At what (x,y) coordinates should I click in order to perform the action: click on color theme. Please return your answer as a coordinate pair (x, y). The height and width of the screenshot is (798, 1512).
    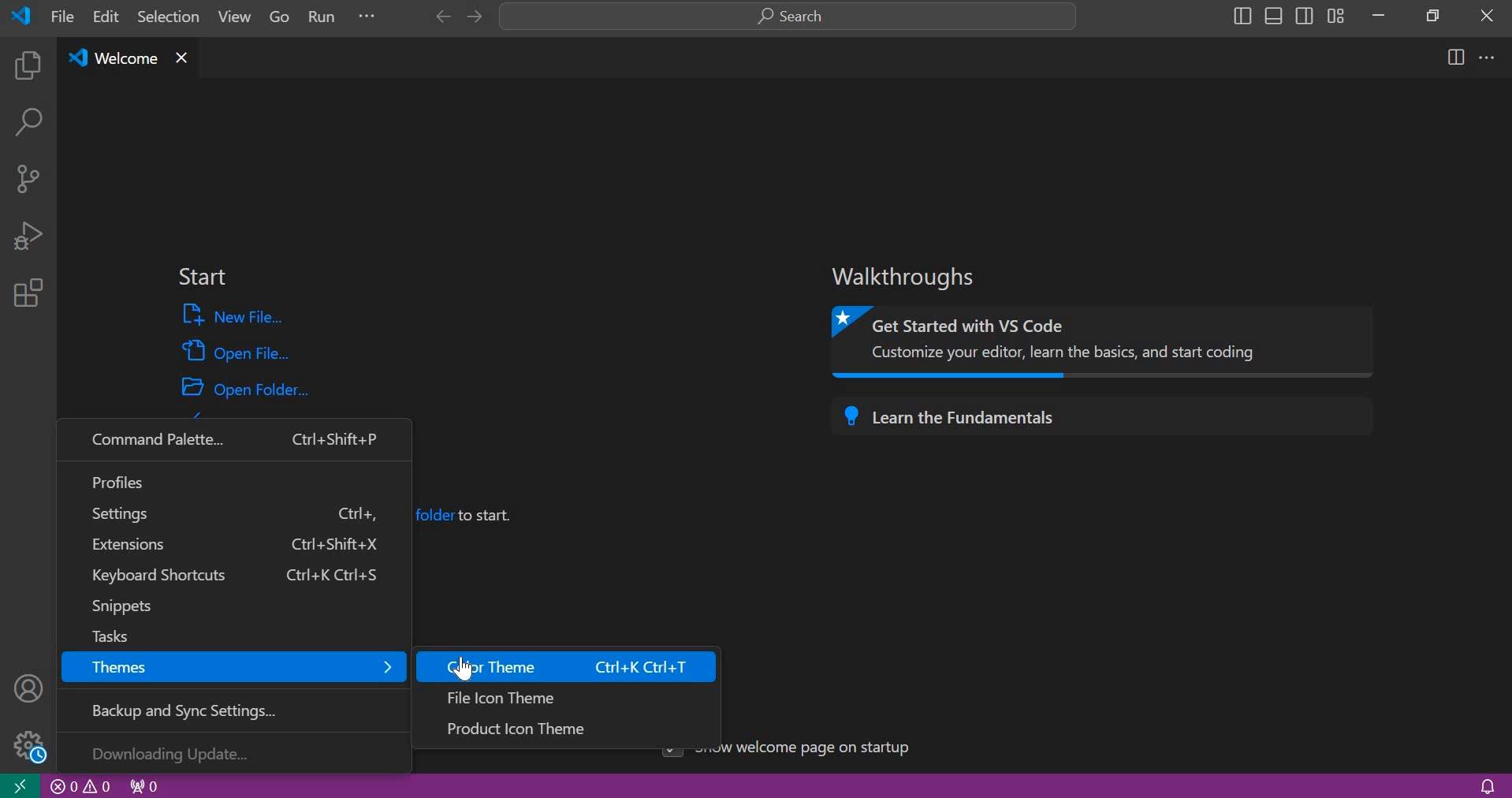
    Looking at the image, I should click on (569, 666).